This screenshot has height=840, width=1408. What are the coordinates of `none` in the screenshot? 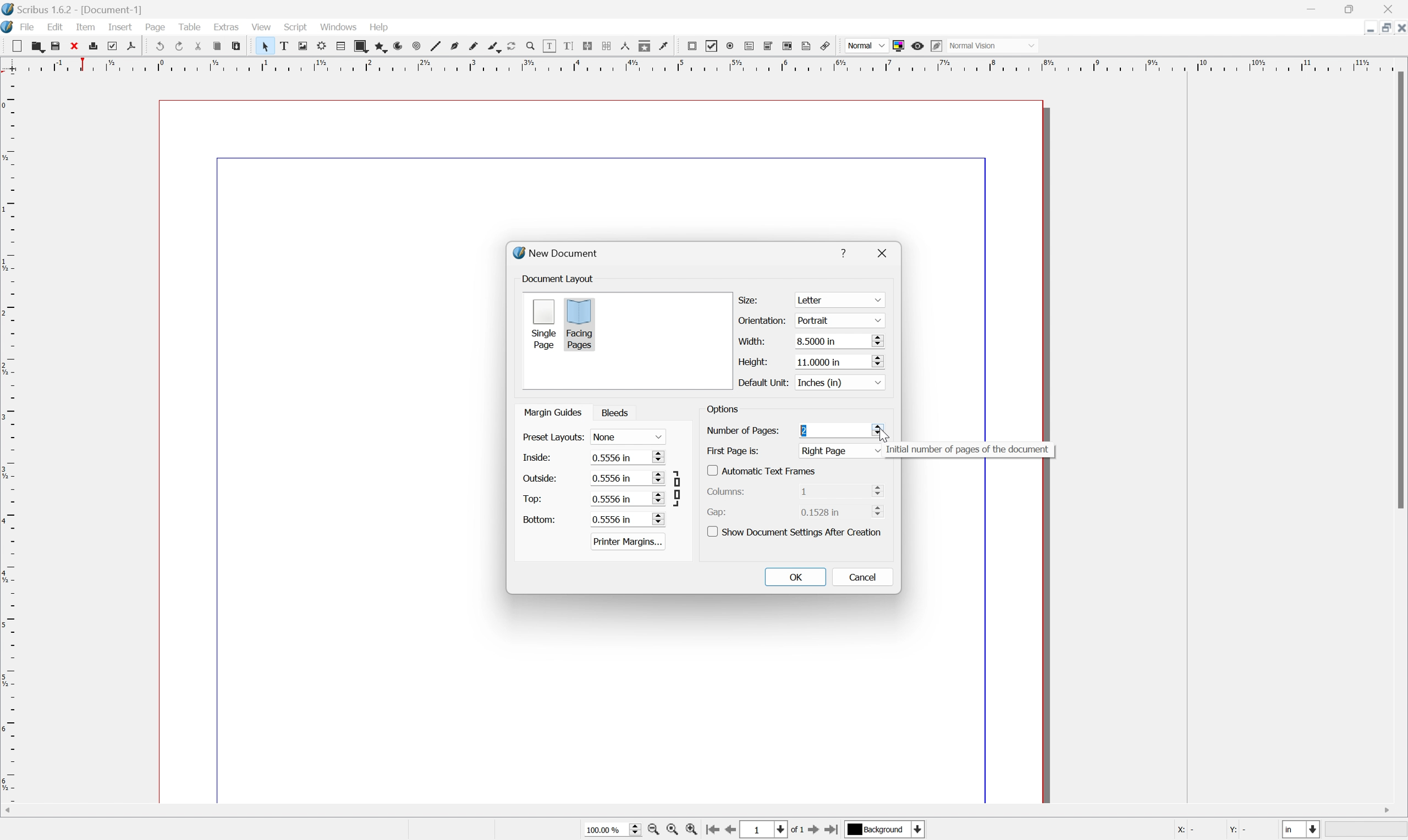 It's located at (630, 437).